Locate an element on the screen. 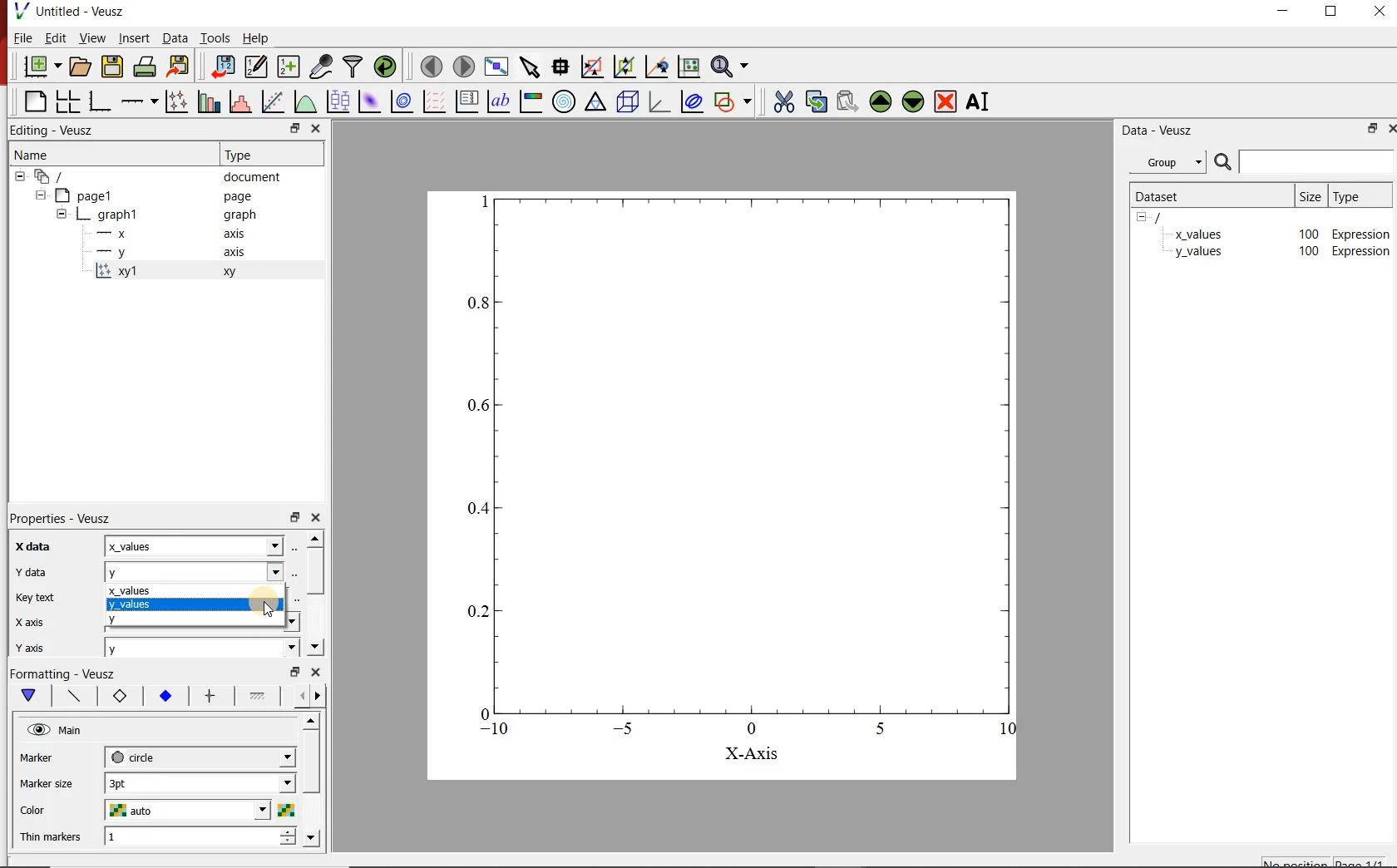 This screenshot has width=1397, height=868. close is located at coordinates (316, 671).